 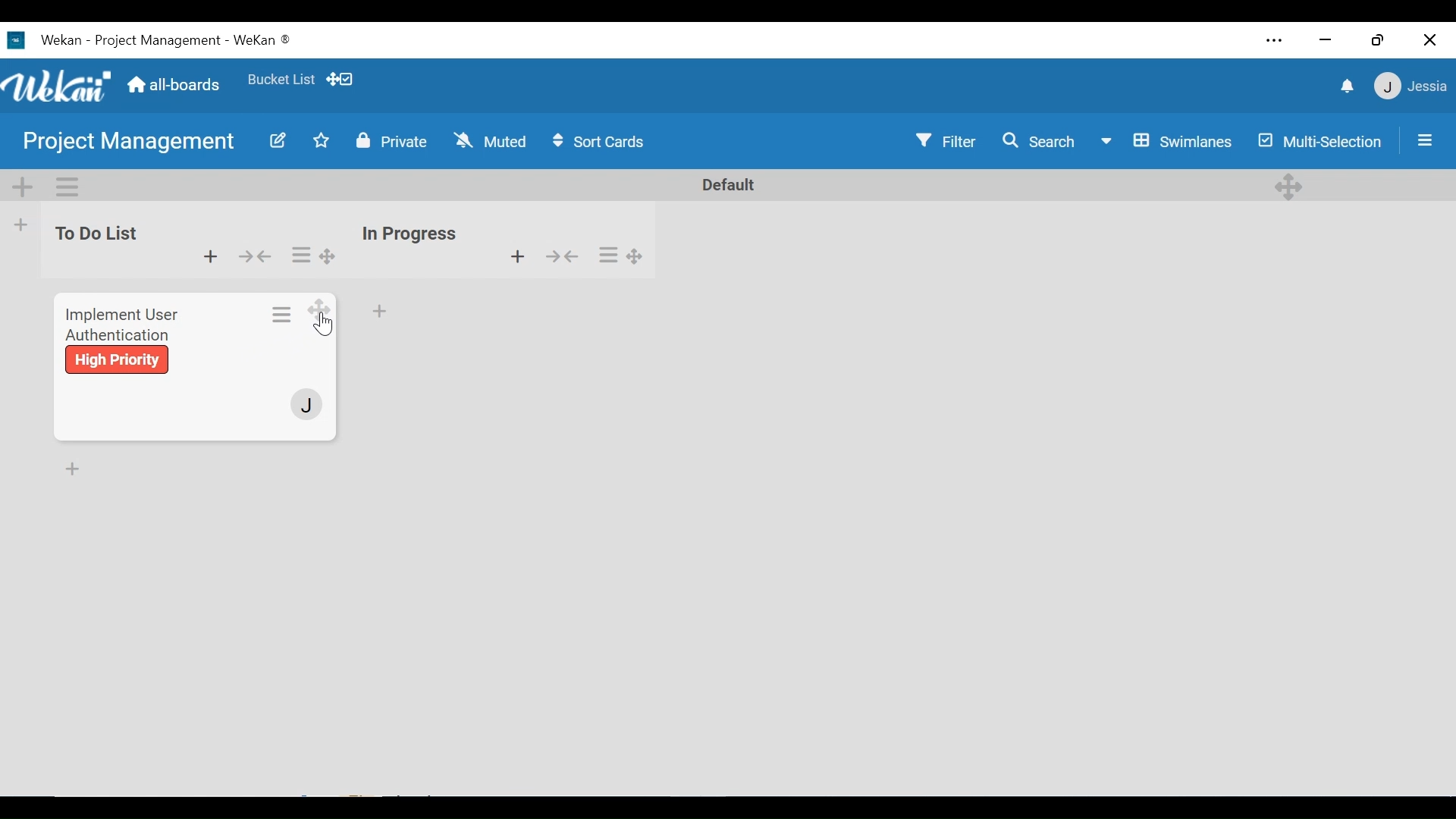 I want to click on add card to the top of the list, so click(x=518, y=256).